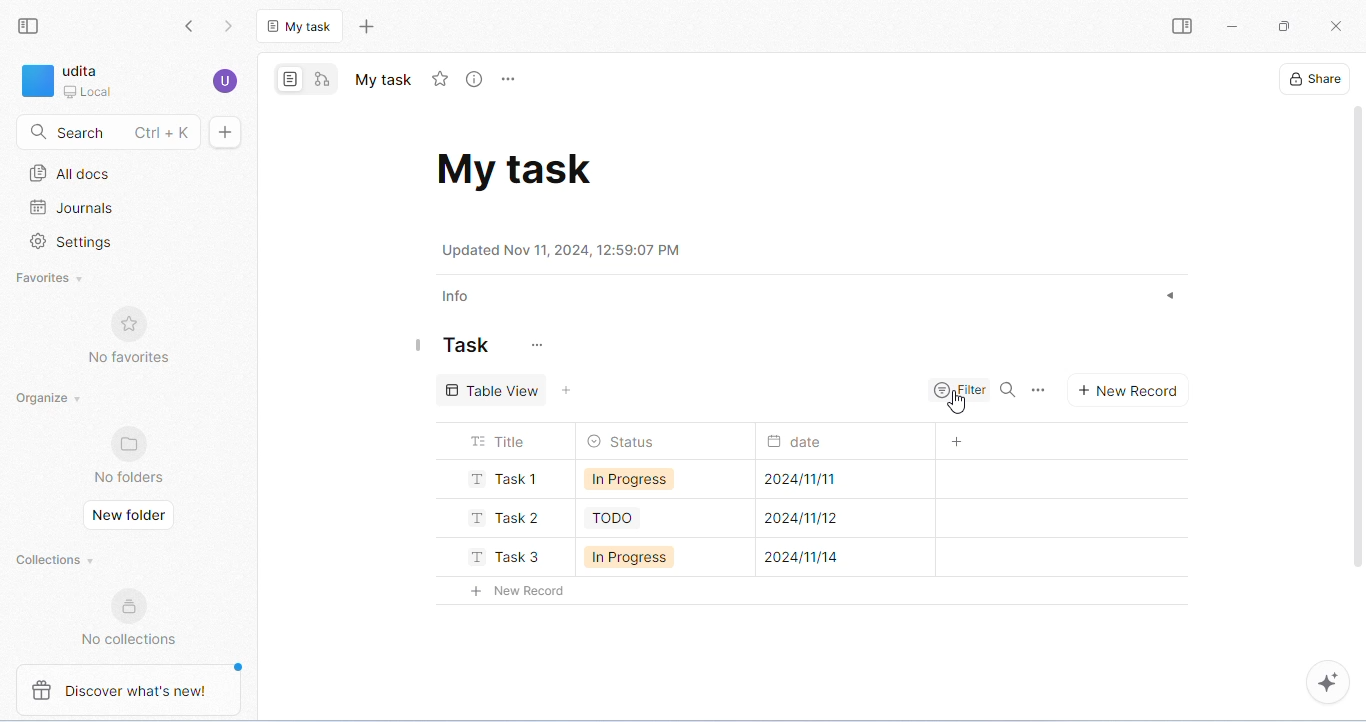 The image size is (1366, 722). Describe the element at coordinates (959, 406) in the screenshot. I see `cursor` at that location.